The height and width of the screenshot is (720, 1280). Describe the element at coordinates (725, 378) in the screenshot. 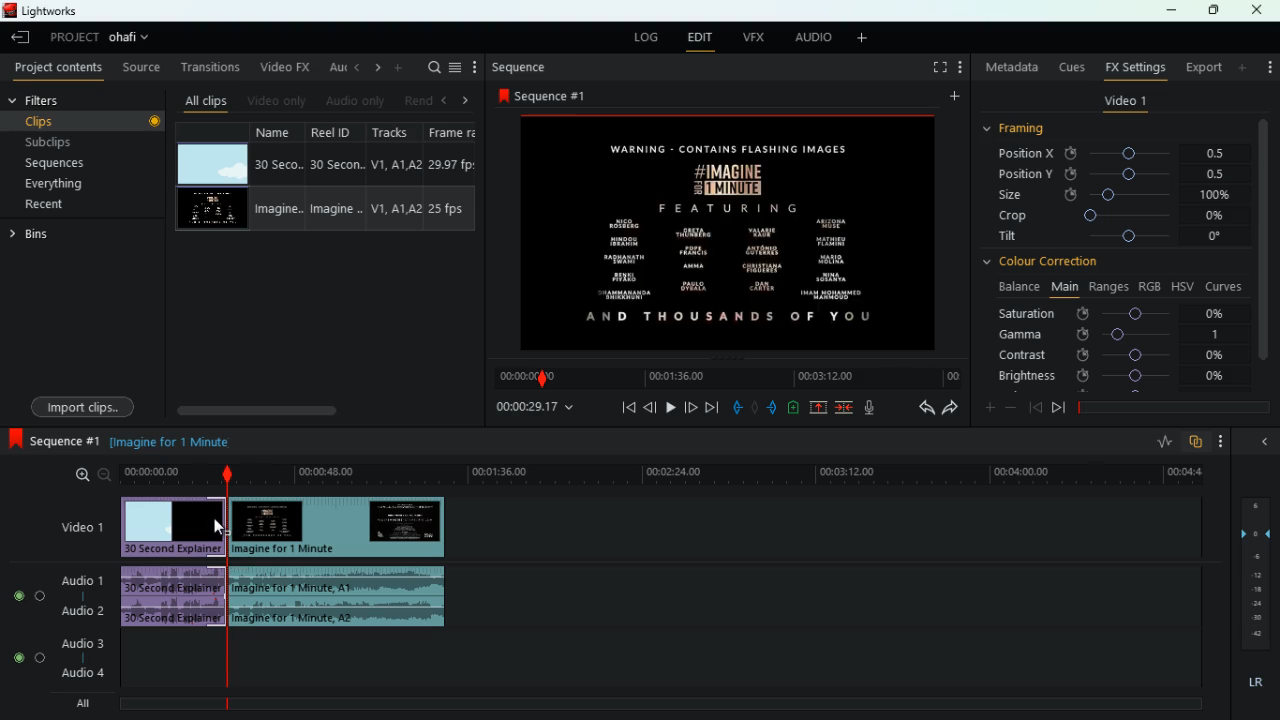

I see `time` at that location.